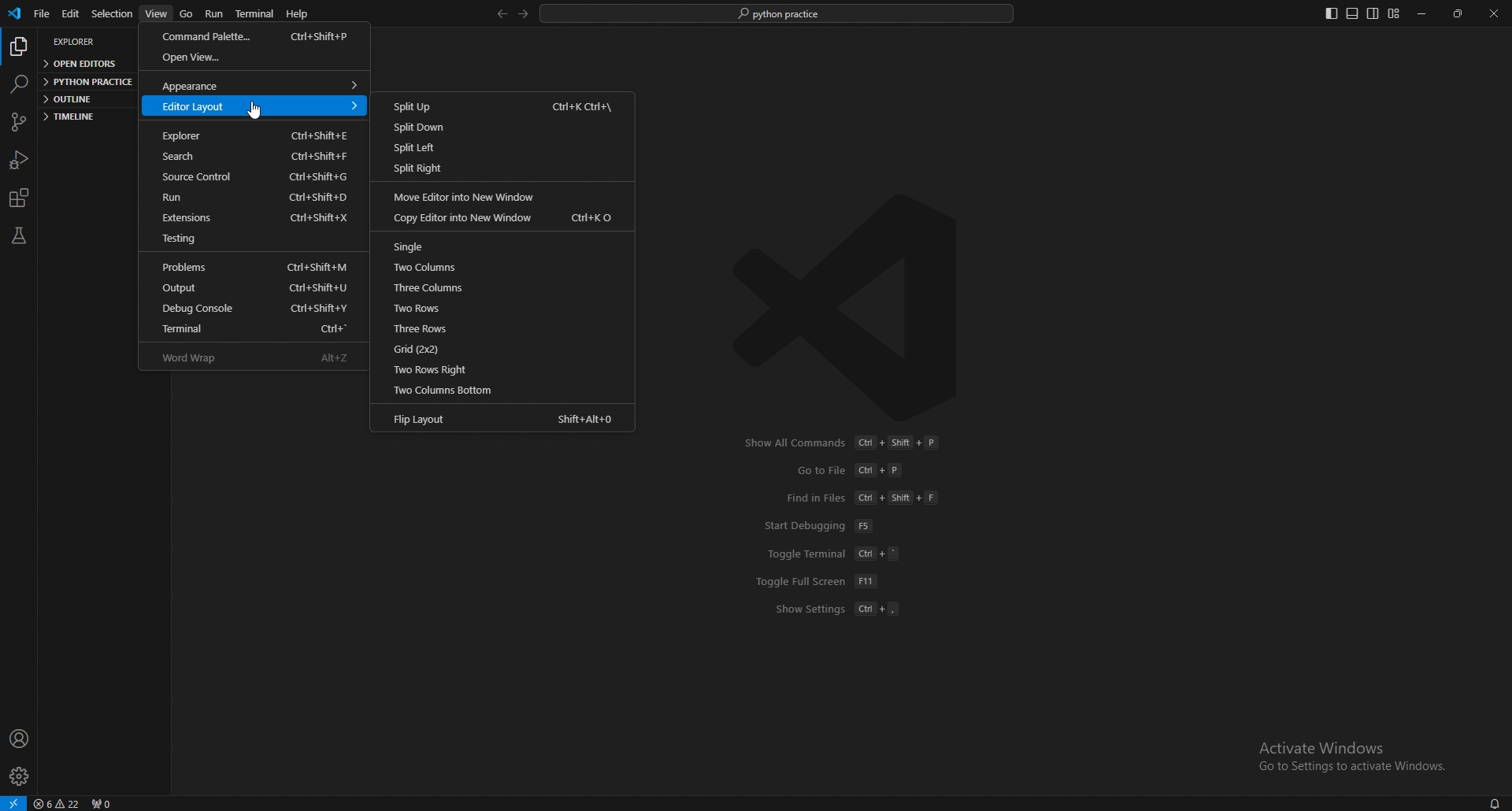 This screenshot has height=811, width=1512. What do you see at coordinates (254, 14) in the screenshot?
I see `terminal` at bounding box center [254, 14].